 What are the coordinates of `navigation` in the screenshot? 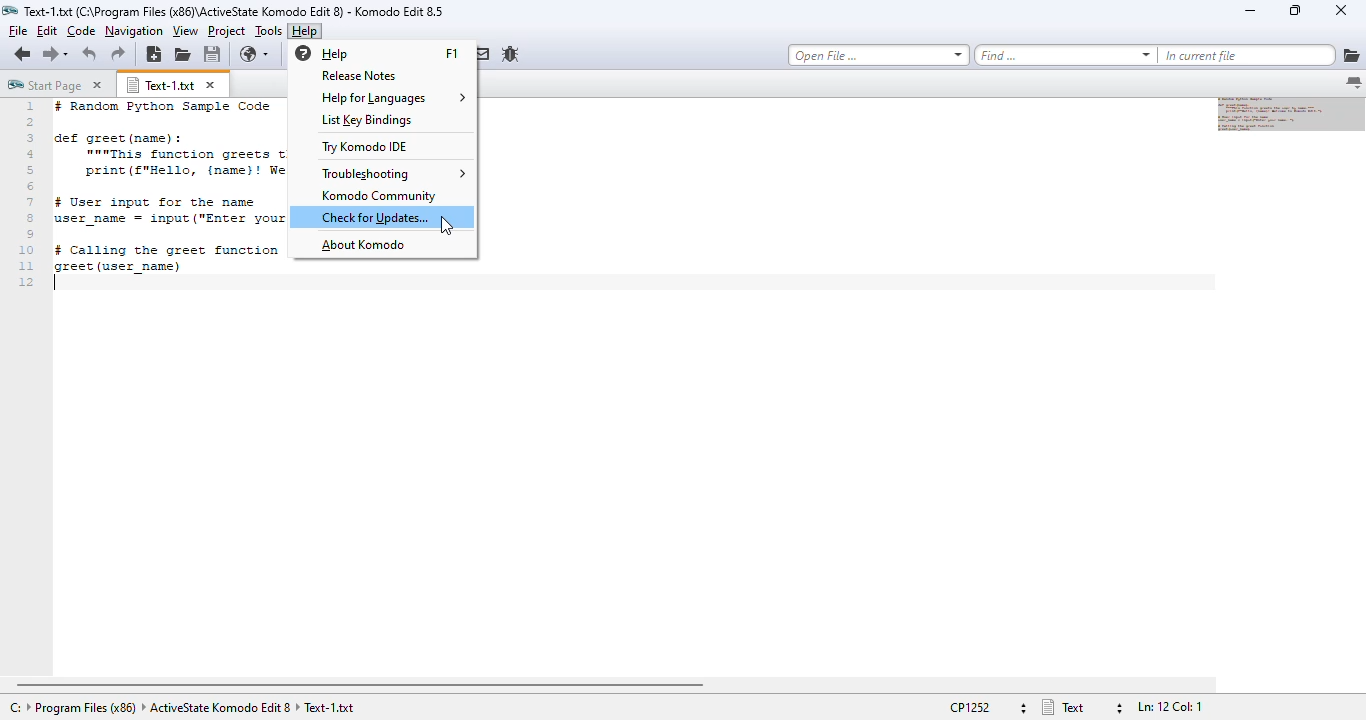 It's located at (134, 31).